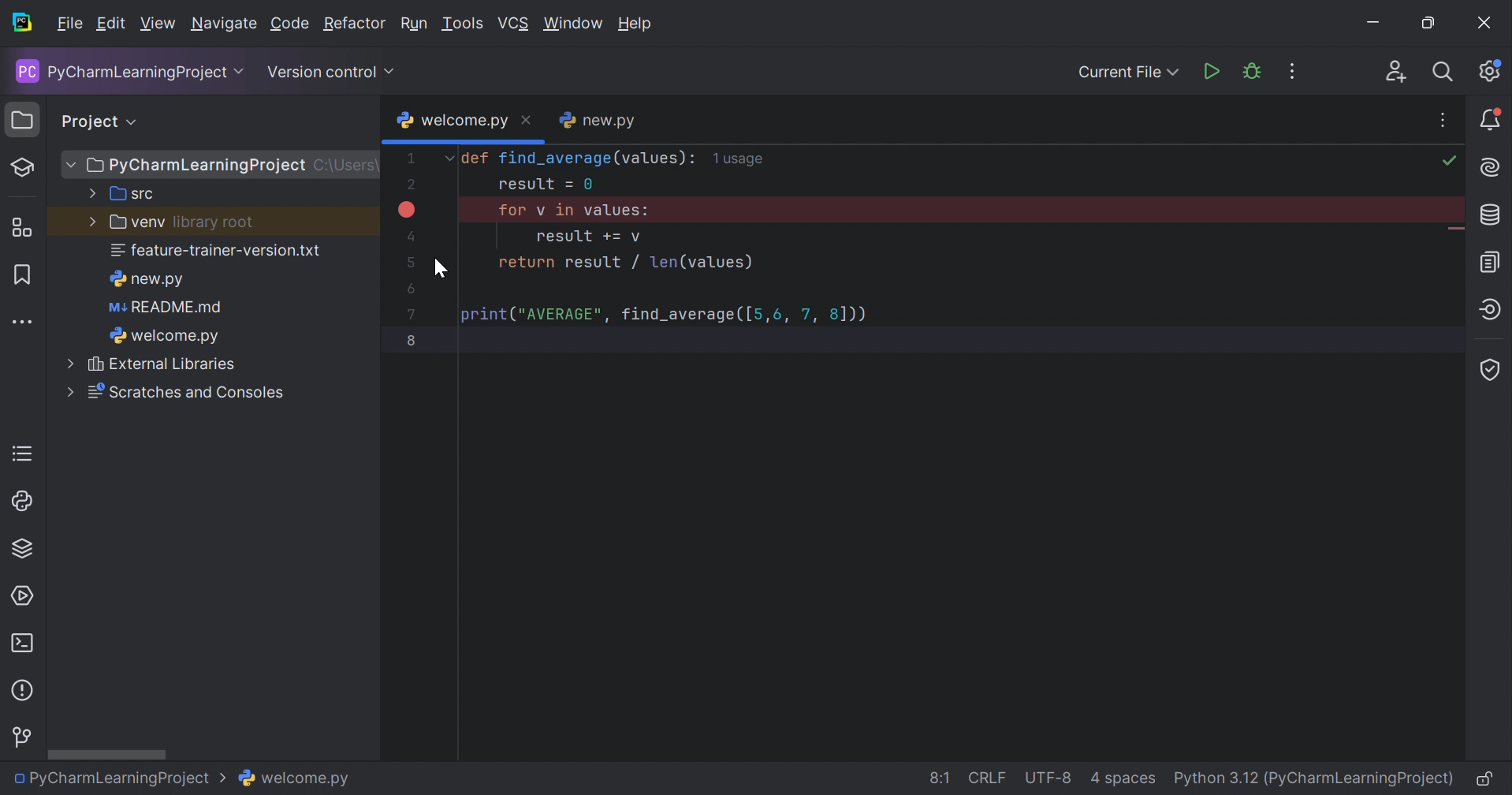 This screenshot has width=1512, height=795. I want to click on Breakpoint, so click(408, 208).